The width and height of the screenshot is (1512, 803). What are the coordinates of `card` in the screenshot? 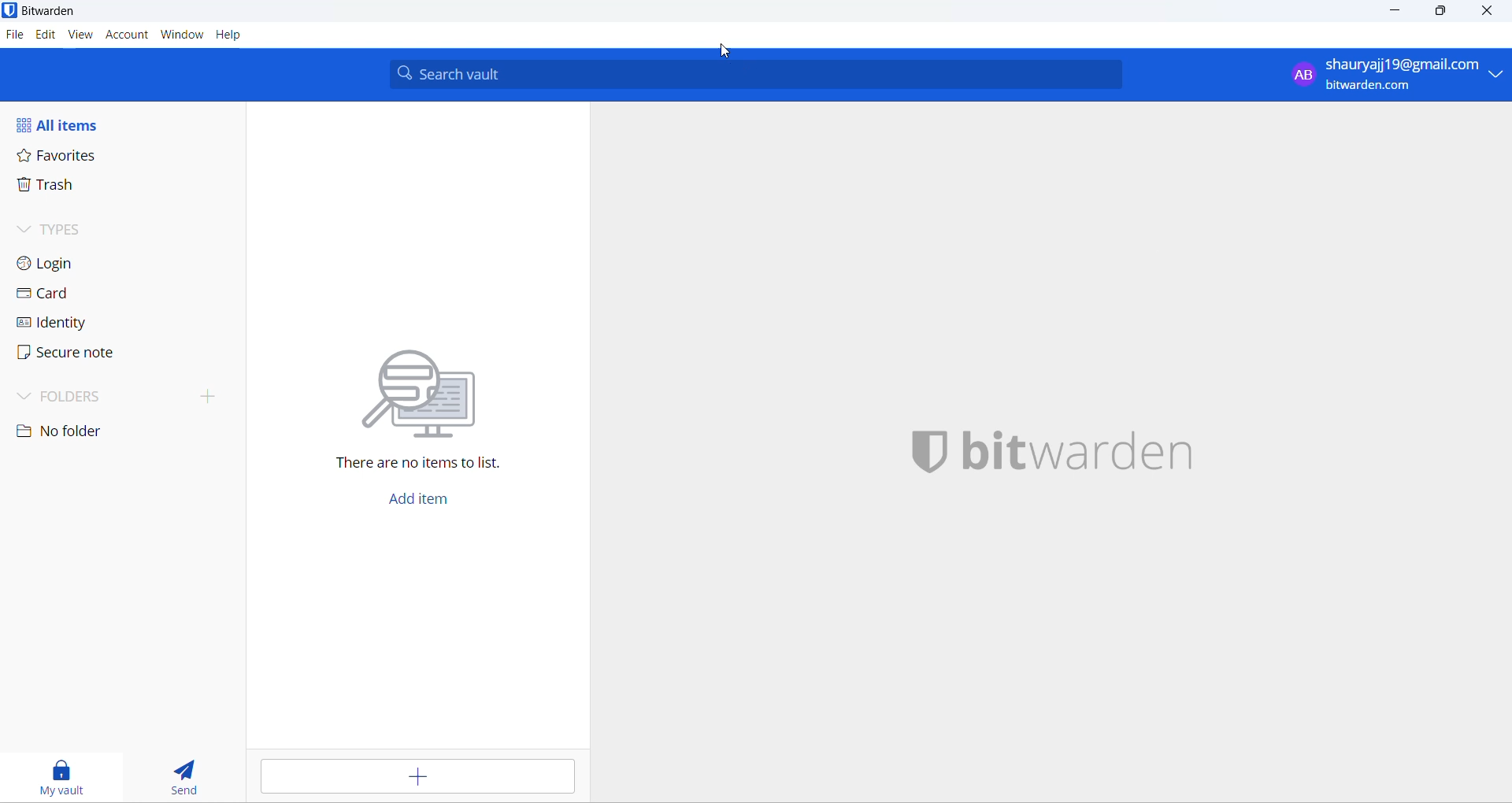 It's located at (62, 295).